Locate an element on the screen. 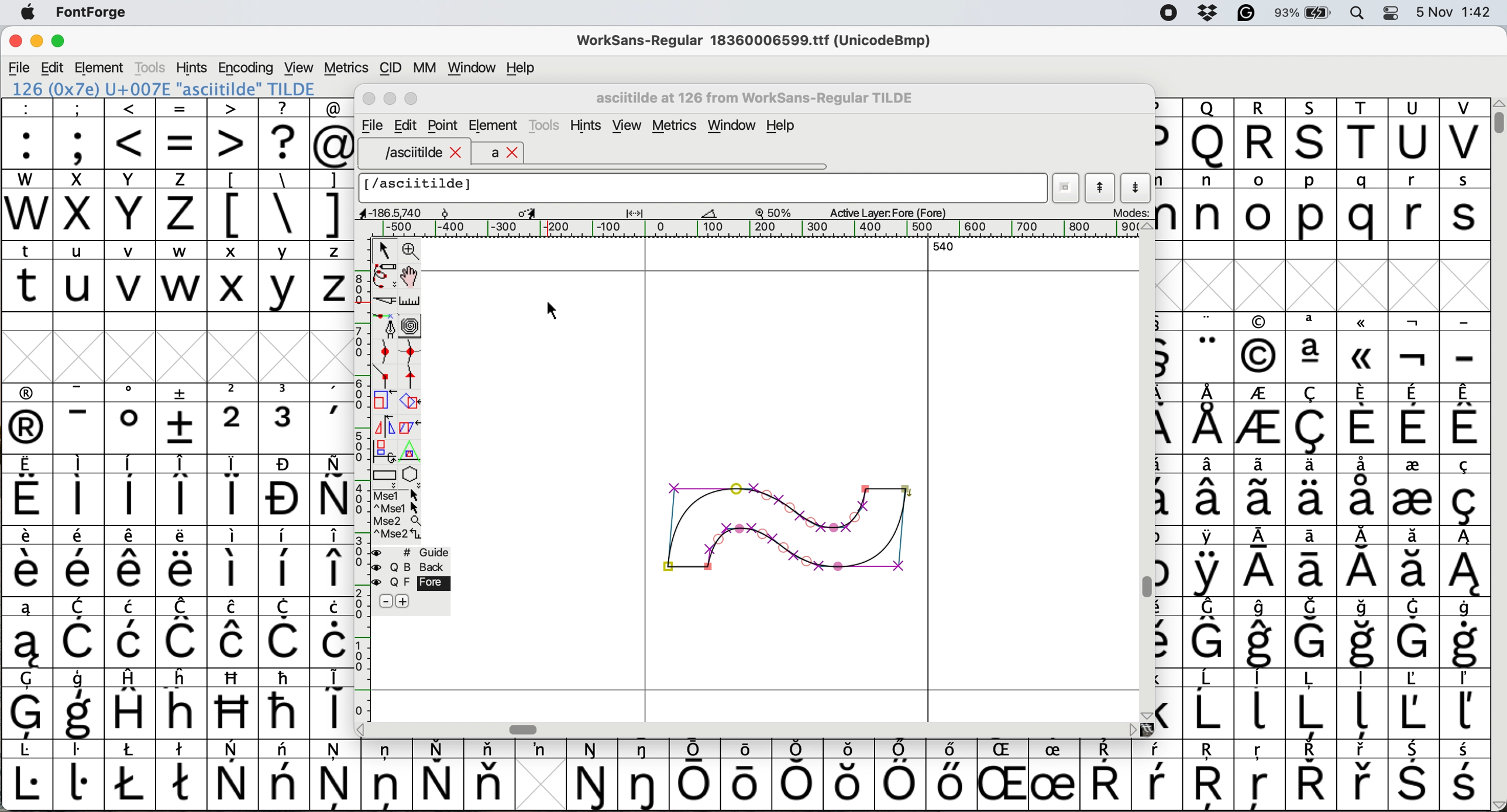 The image size is (1507, 812). symbol is located at coordinates (27, 562).